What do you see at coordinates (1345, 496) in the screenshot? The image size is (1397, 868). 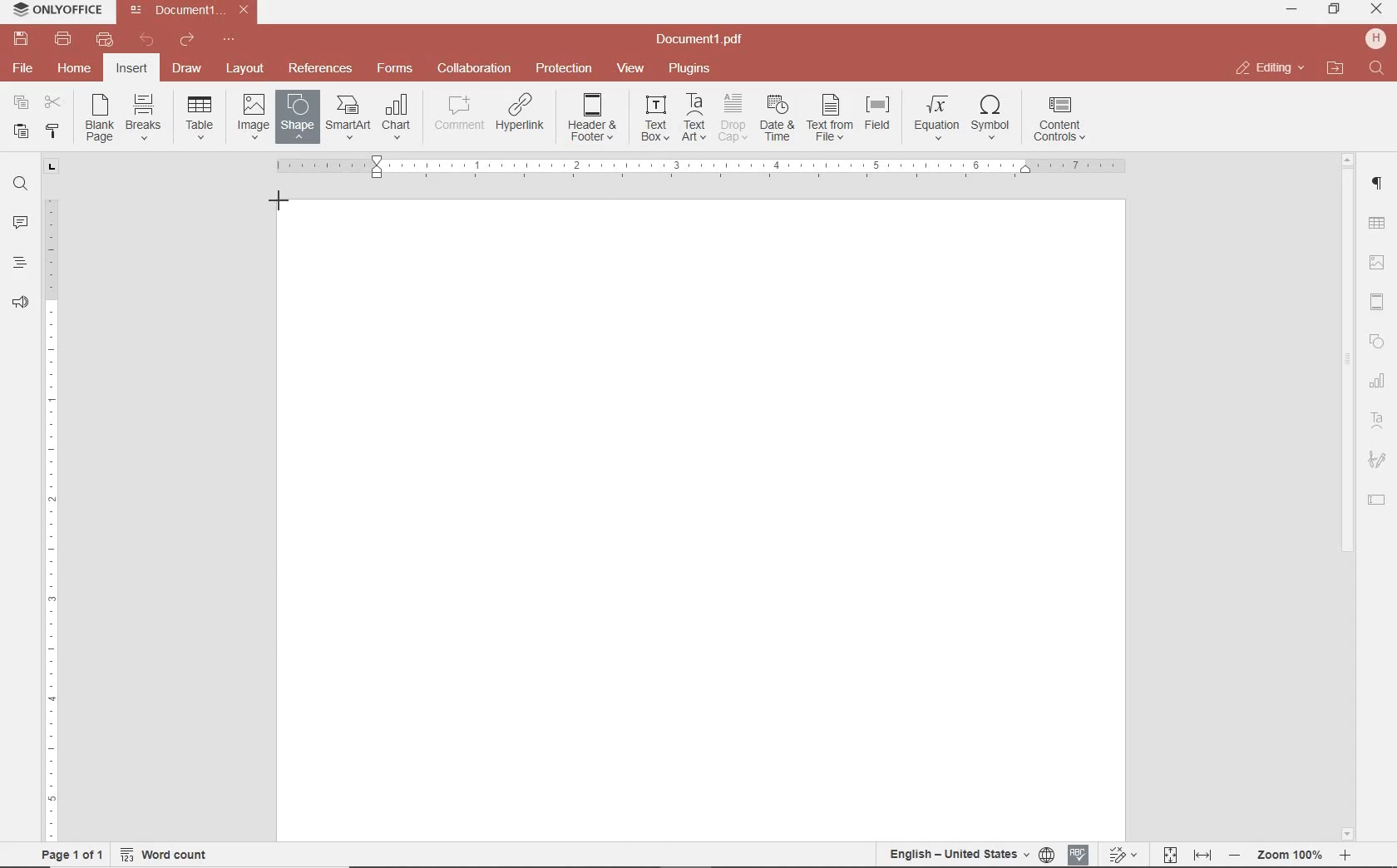 I see `scrollbar` at bounding box center [1345, 496].